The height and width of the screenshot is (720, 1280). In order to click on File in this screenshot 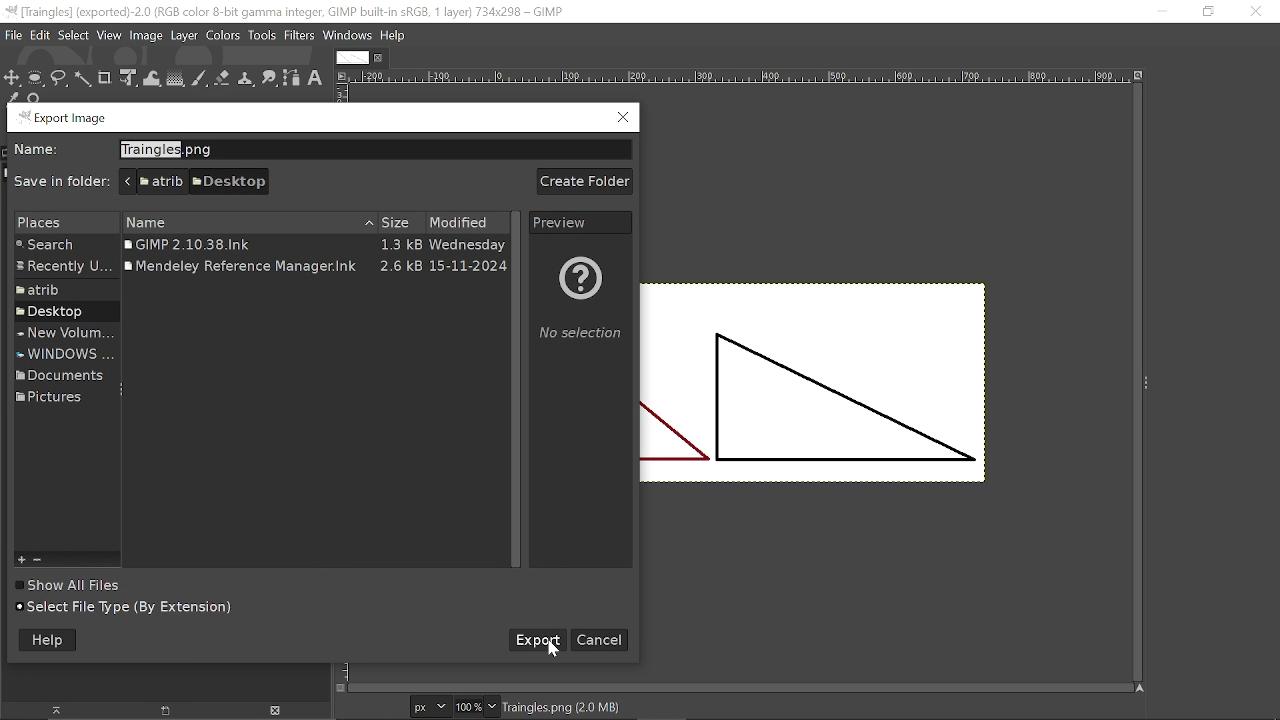, I will do `click(40, 36)`.